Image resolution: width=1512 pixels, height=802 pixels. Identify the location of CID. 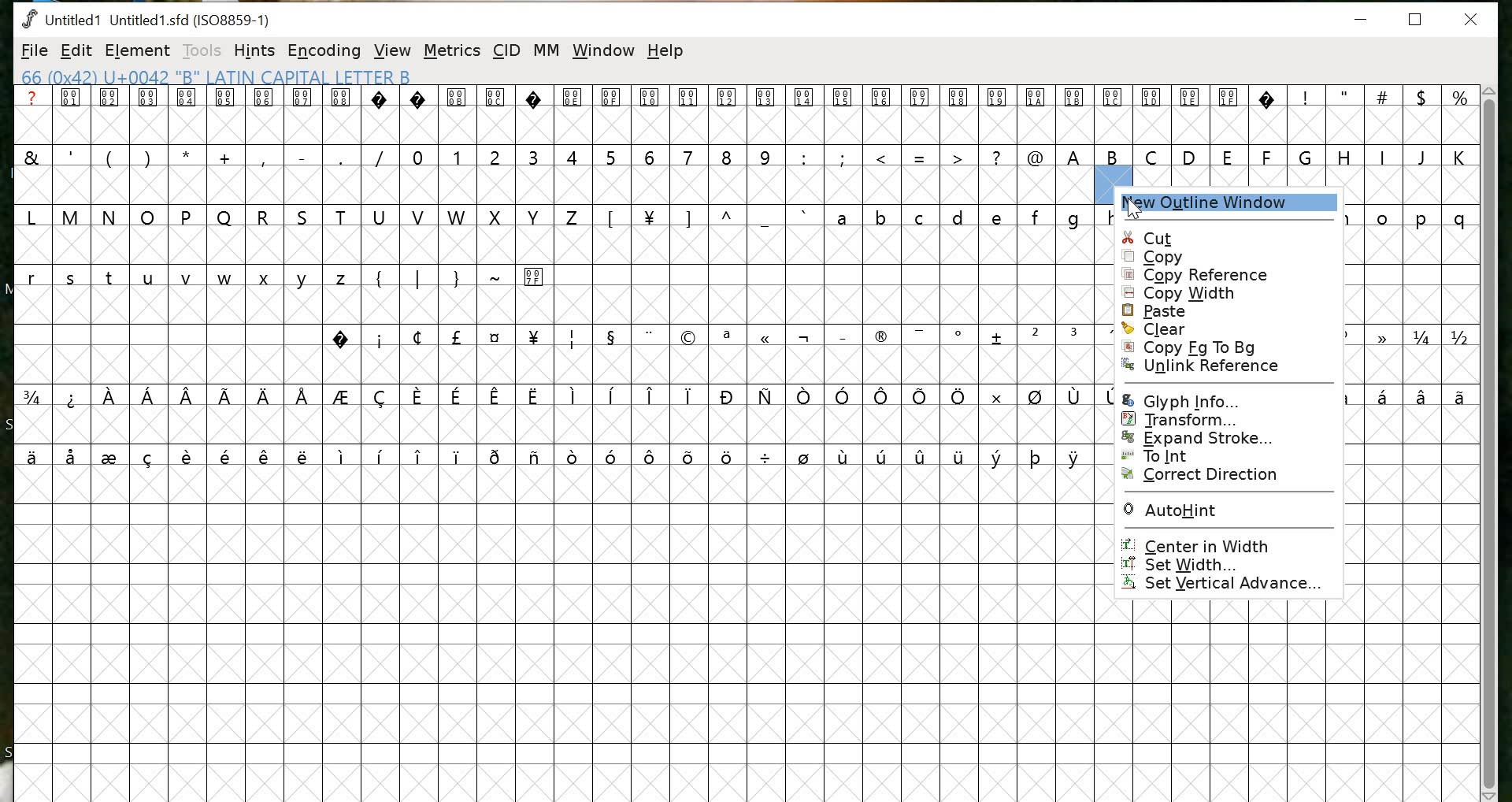
(506, 51).